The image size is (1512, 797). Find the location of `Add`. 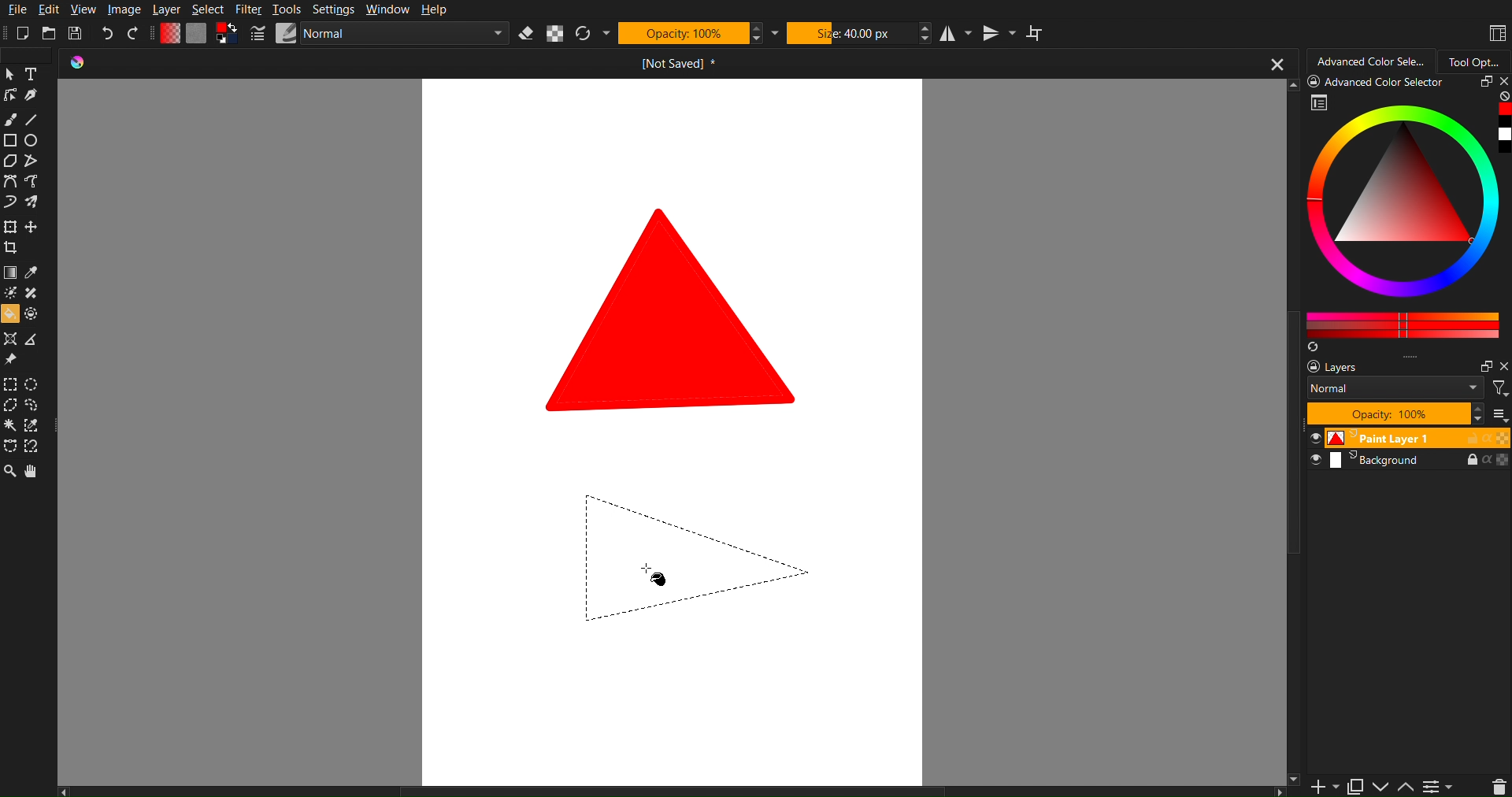

Add is located at coordinates (1320, 787).